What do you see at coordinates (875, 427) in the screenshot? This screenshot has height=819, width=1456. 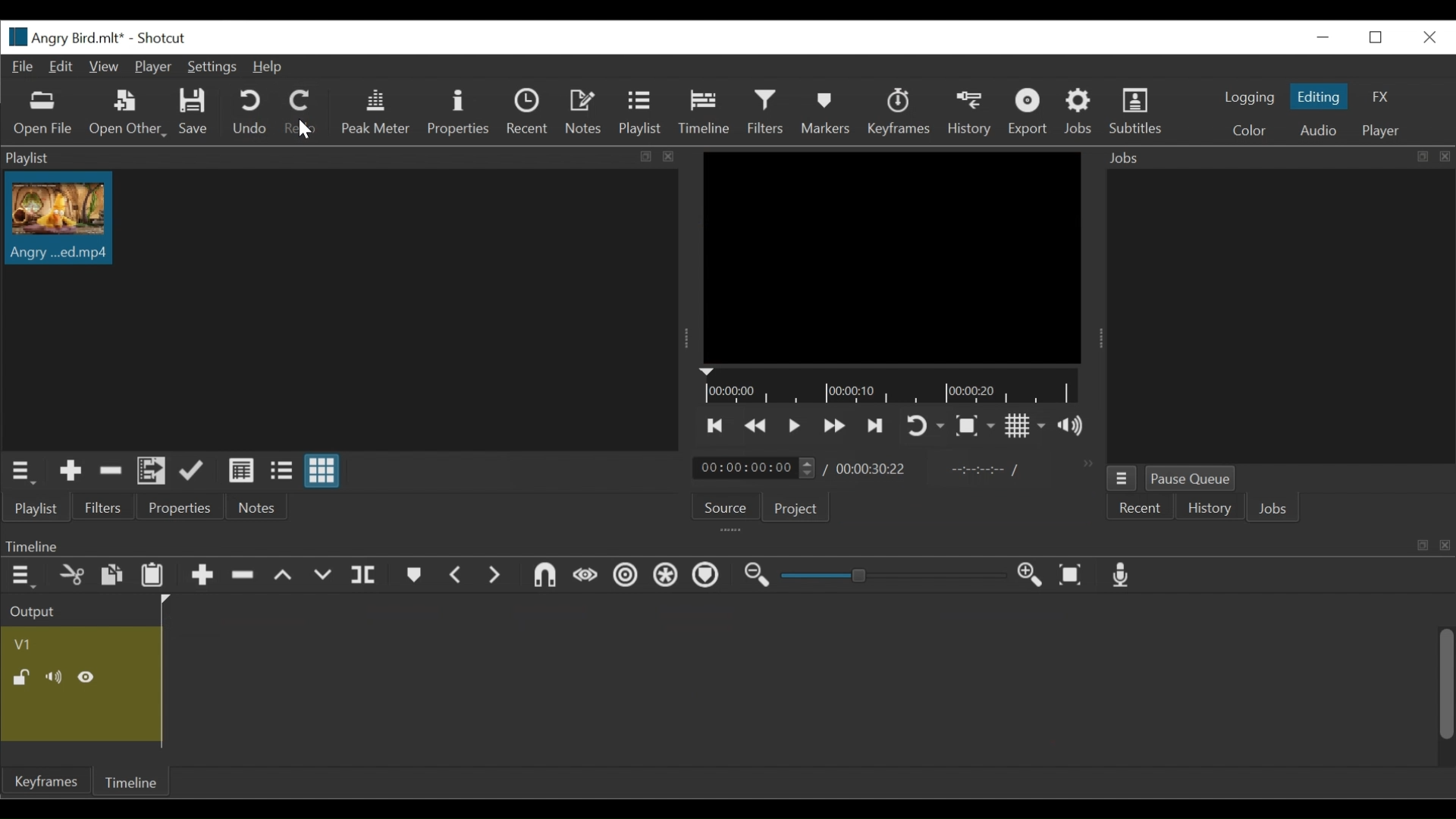 I see `Skip to the next point` at bounding box center [875, 427].